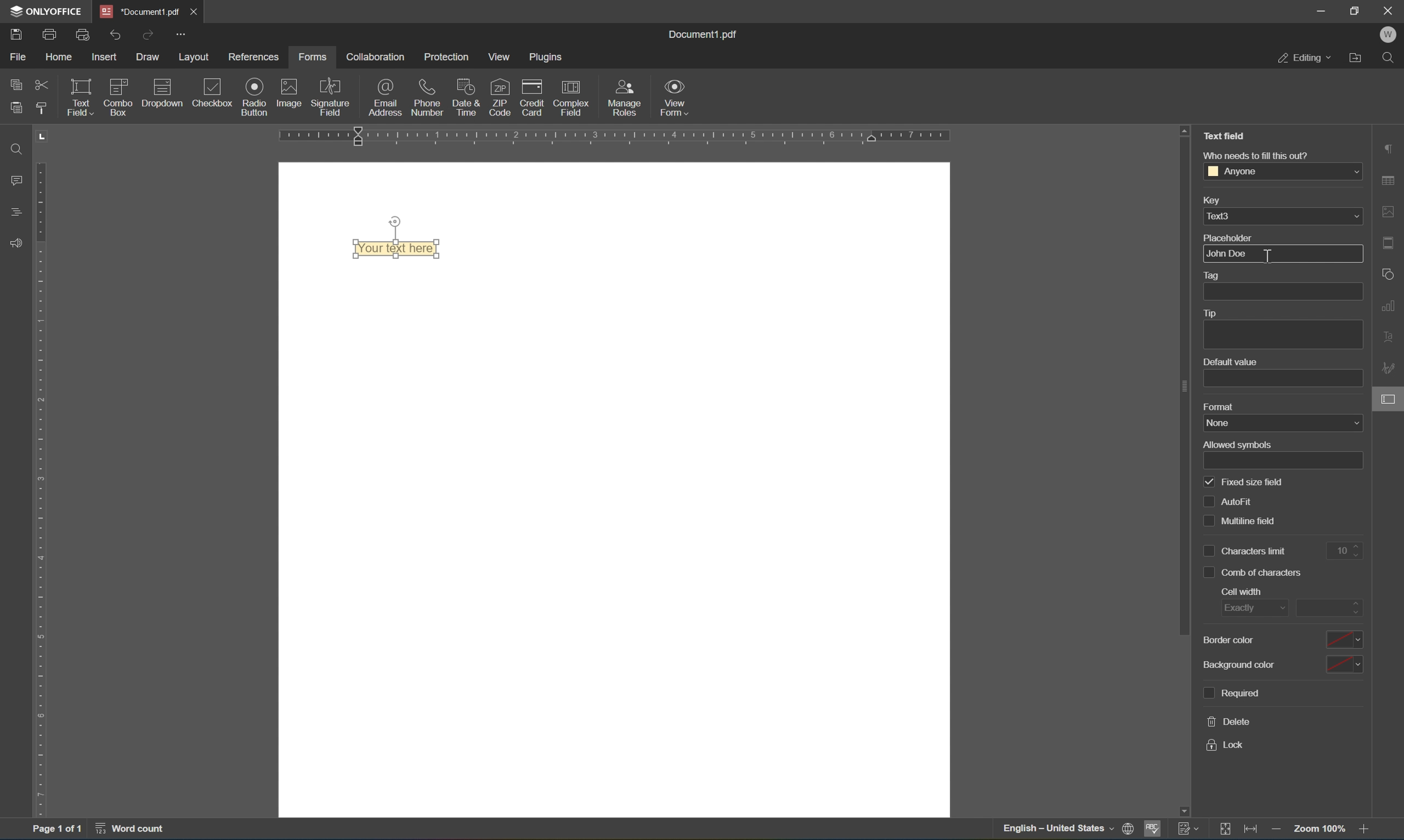 The image size is (1404, 840). What do you see at coordinates (702, 36) in the screenshot?
I see `document1.pdf` at bounding box center [702, 36].